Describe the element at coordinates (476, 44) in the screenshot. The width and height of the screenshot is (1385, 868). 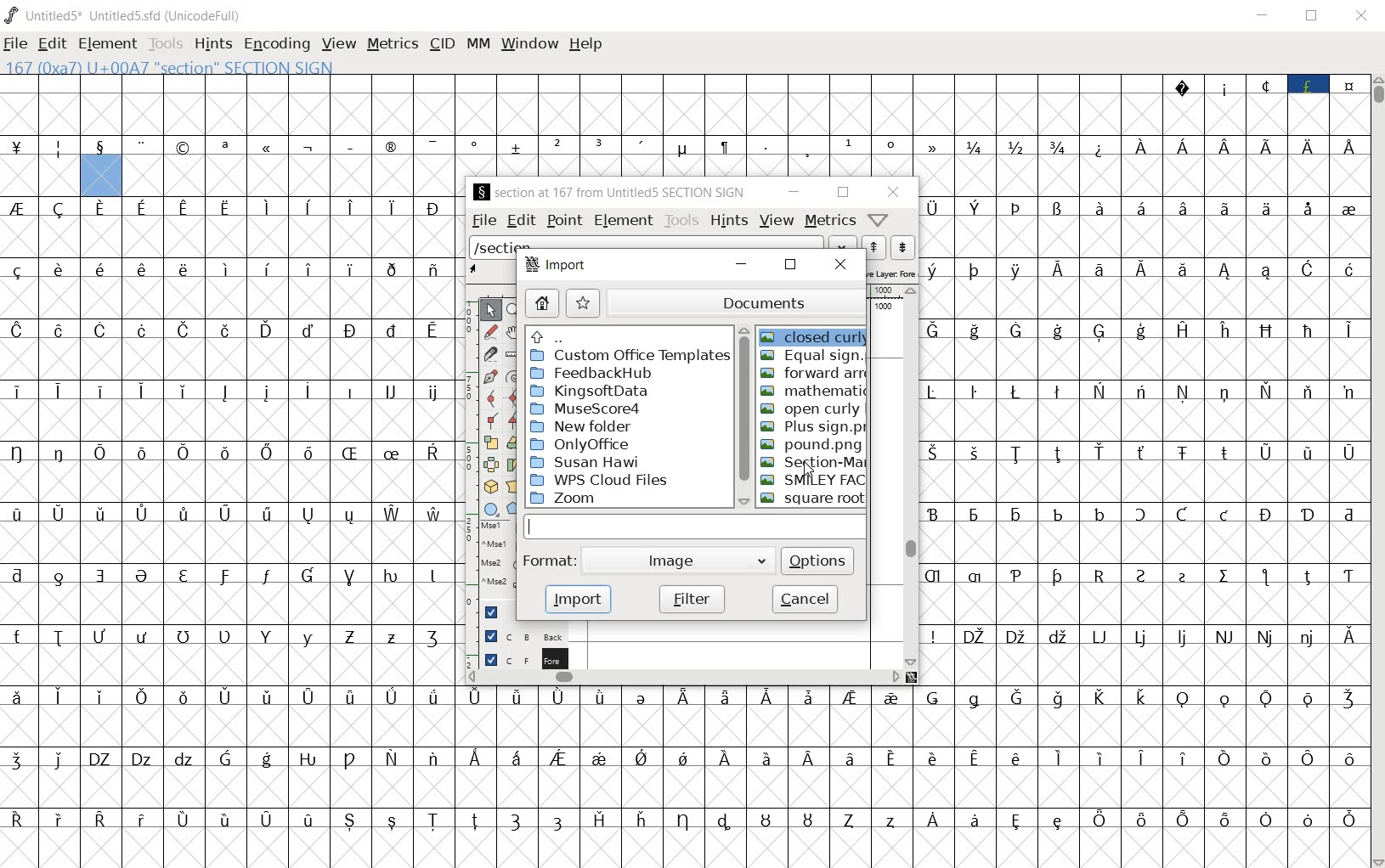
I see `mm` at that location.